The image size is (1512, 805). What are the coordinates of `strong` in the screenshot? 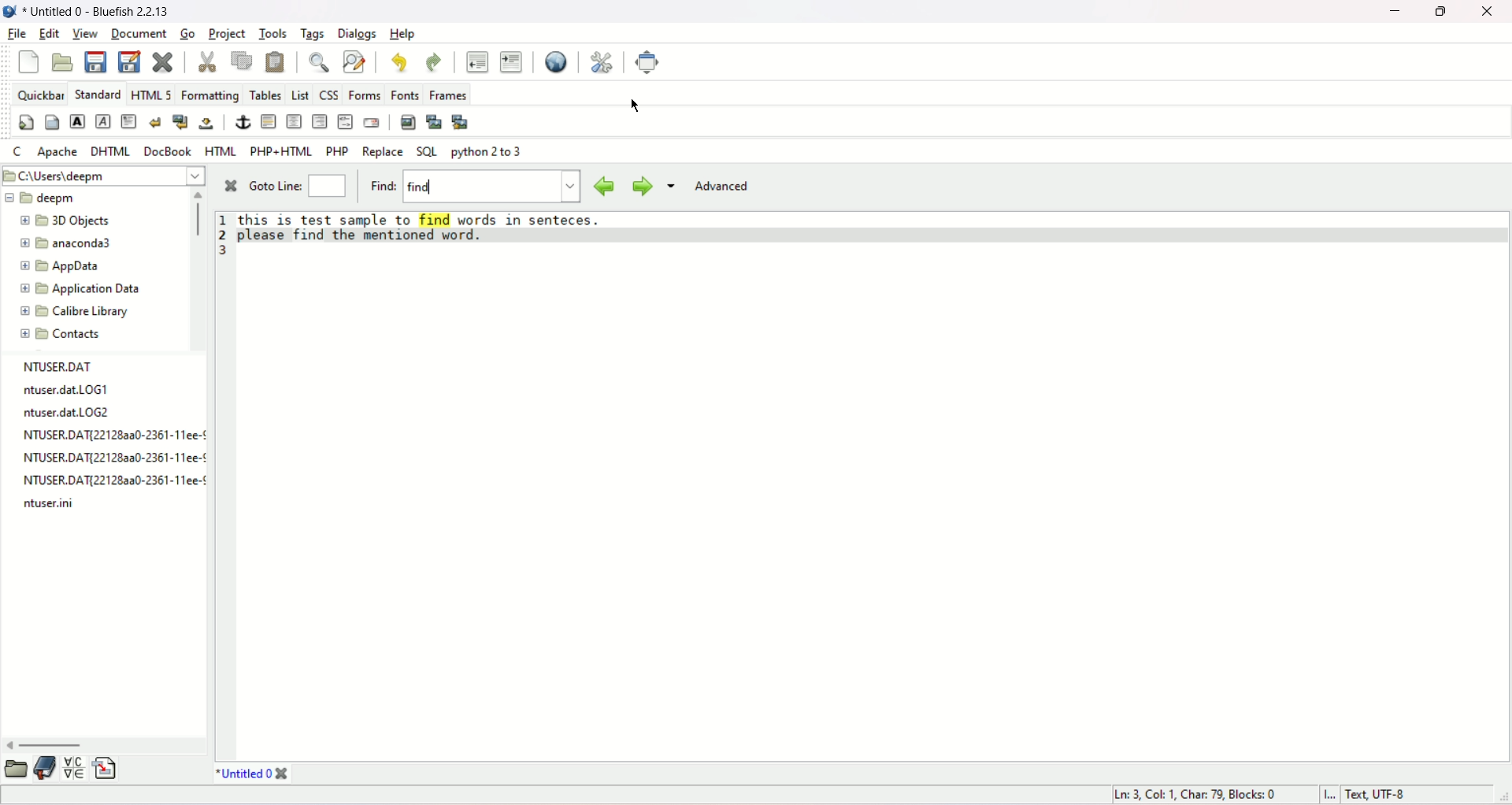 It's located at (76, 120).